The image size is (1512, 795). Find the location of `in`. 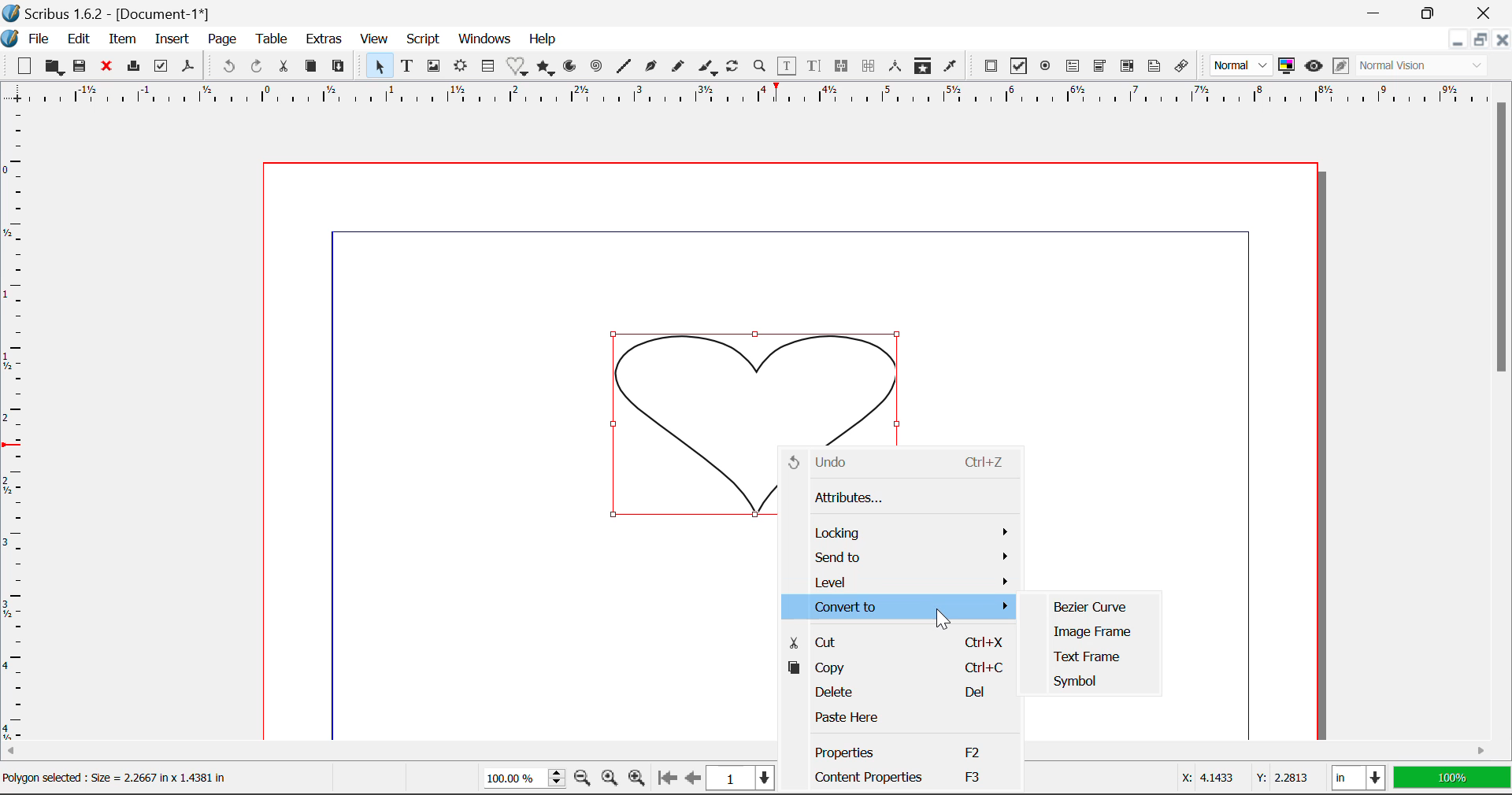

in is located at coordinates (1358, 778).